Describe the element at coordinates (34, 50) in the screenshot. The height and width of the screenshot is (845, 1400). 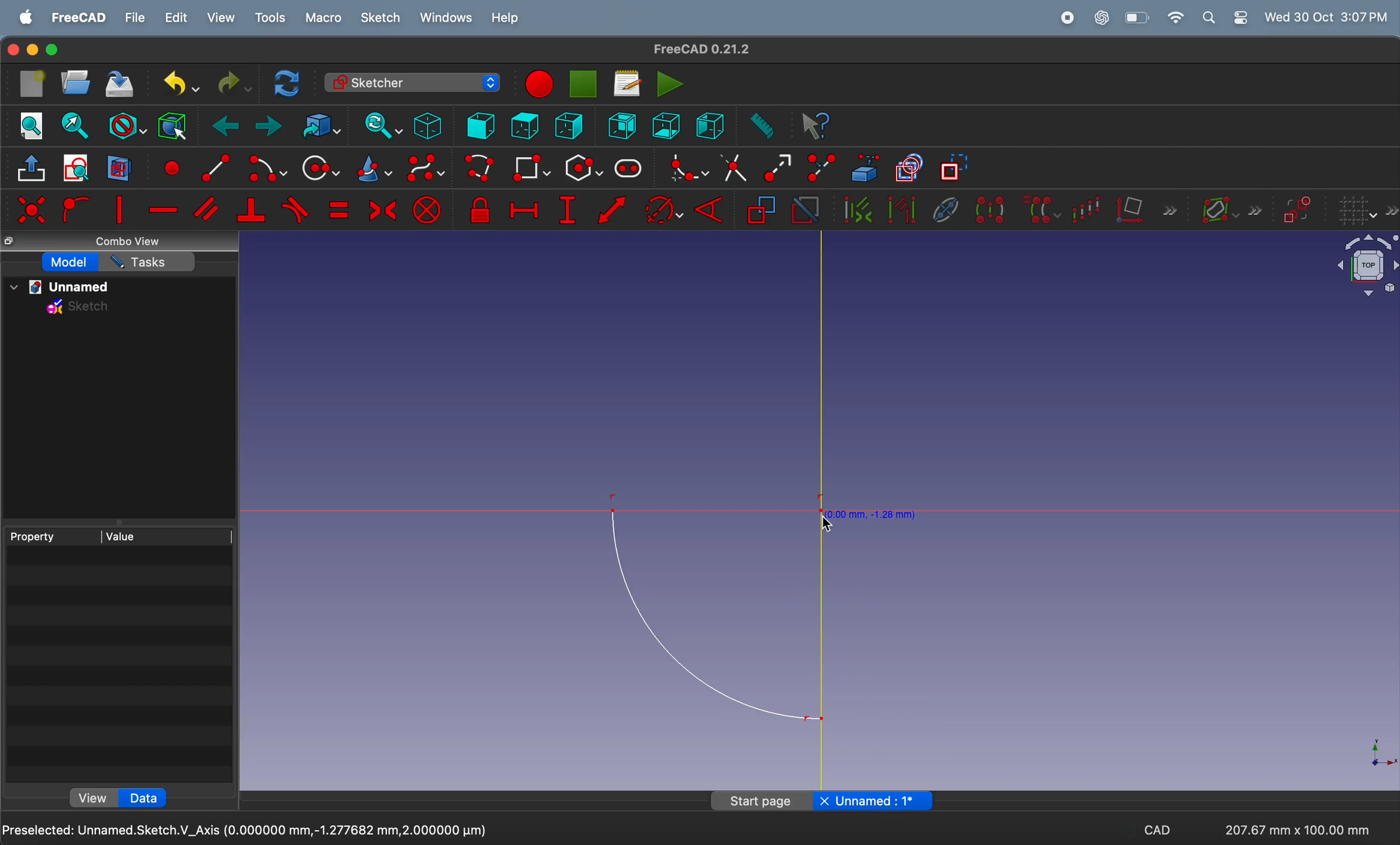
I see `minimize` at that location.